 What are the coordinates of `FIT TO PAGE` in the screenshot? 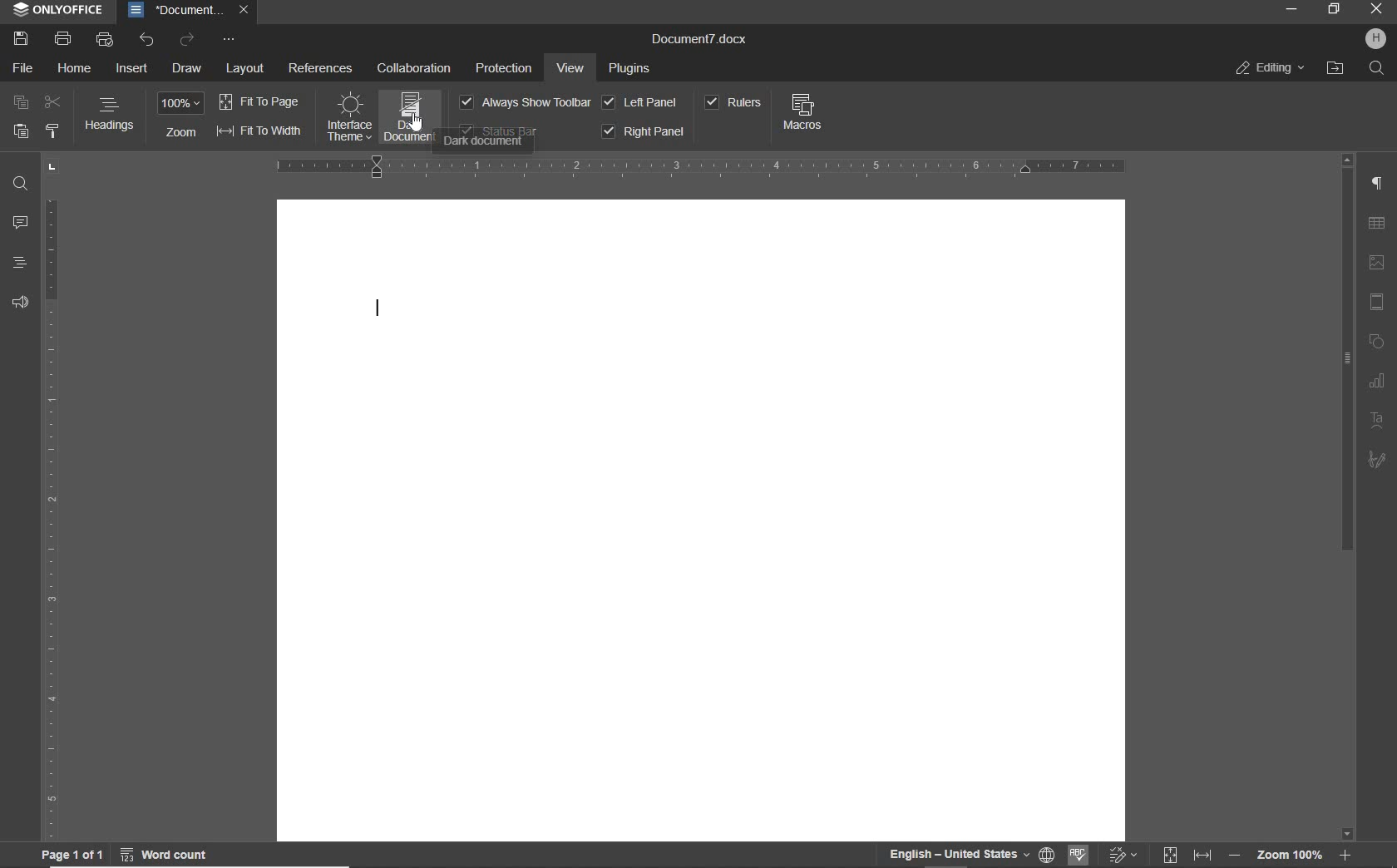 It's located at (259, 101).